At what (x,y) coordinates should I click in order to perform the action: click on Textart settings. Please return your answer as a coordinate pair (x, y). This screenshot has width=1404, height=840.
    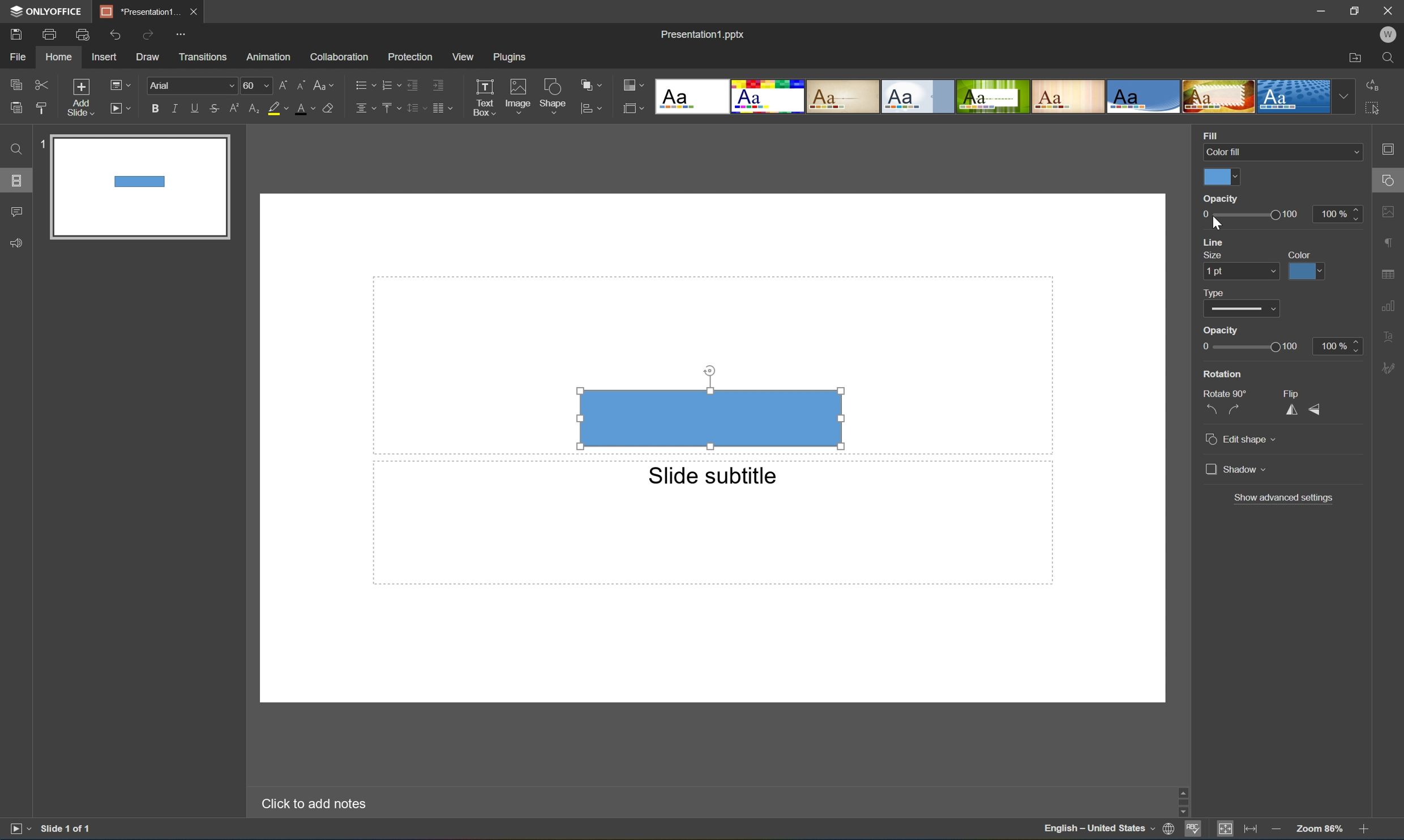
    Looking at the image, I should click on (1389, 338).